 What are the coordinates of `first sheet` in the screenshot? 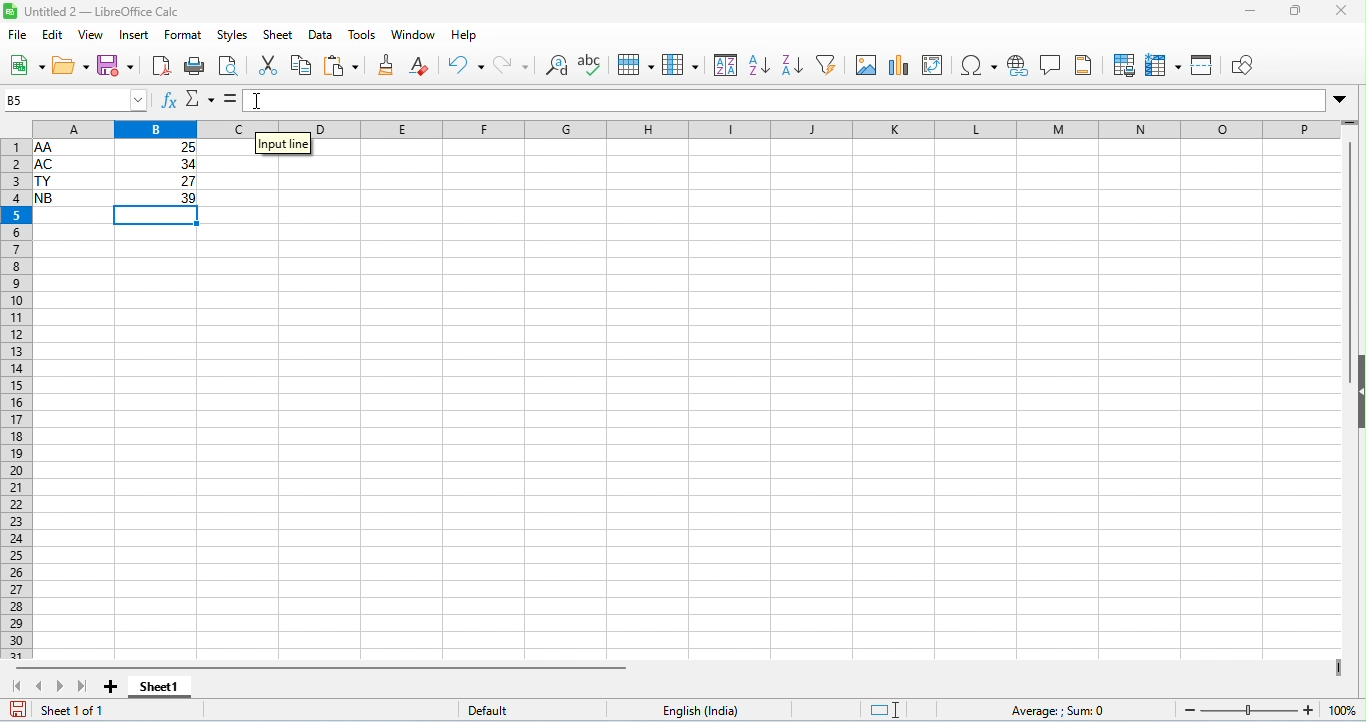 It's located at (19, 685).